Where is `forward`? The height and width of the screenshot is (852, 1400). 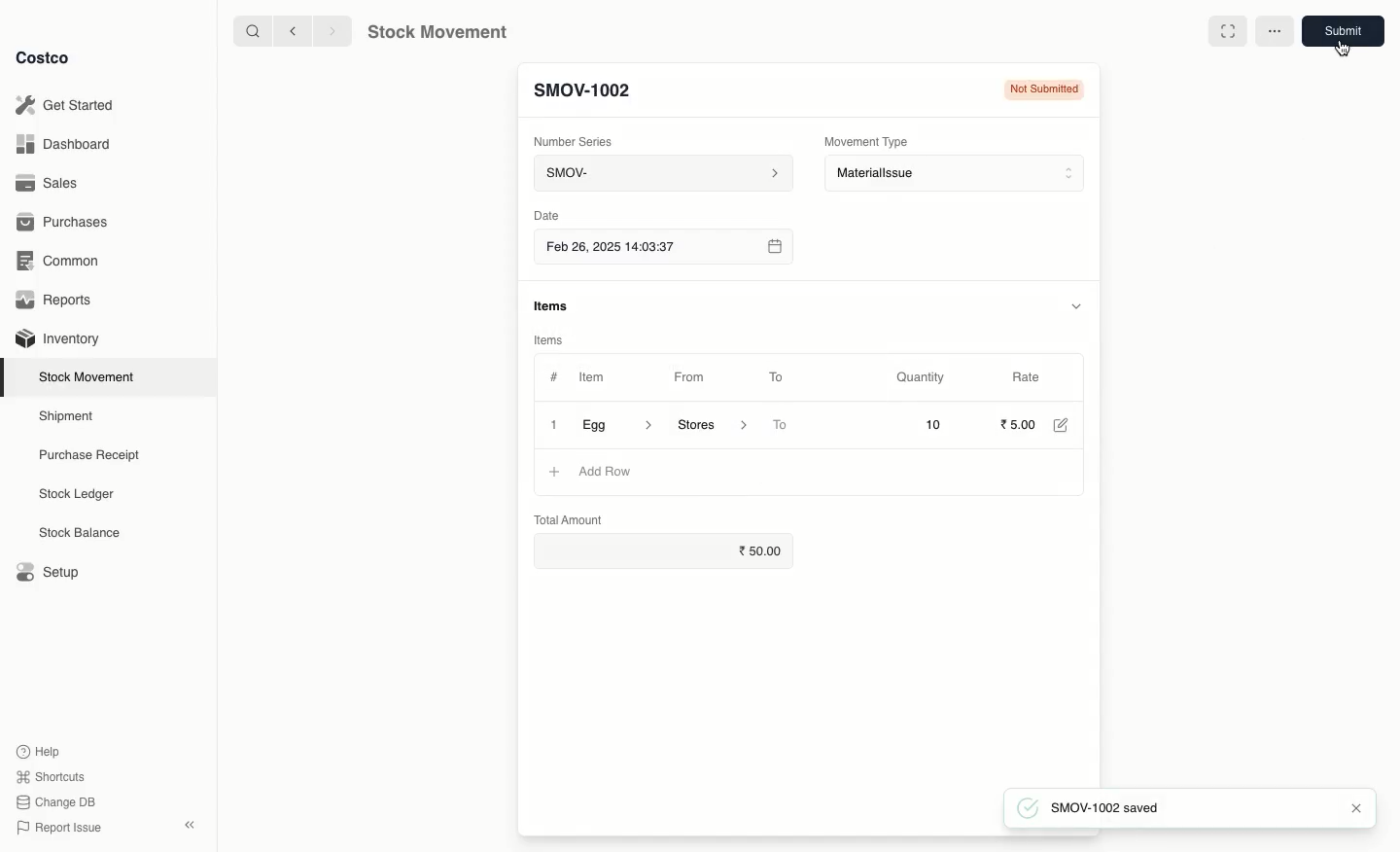
forward is located at coordinates (328, 30).